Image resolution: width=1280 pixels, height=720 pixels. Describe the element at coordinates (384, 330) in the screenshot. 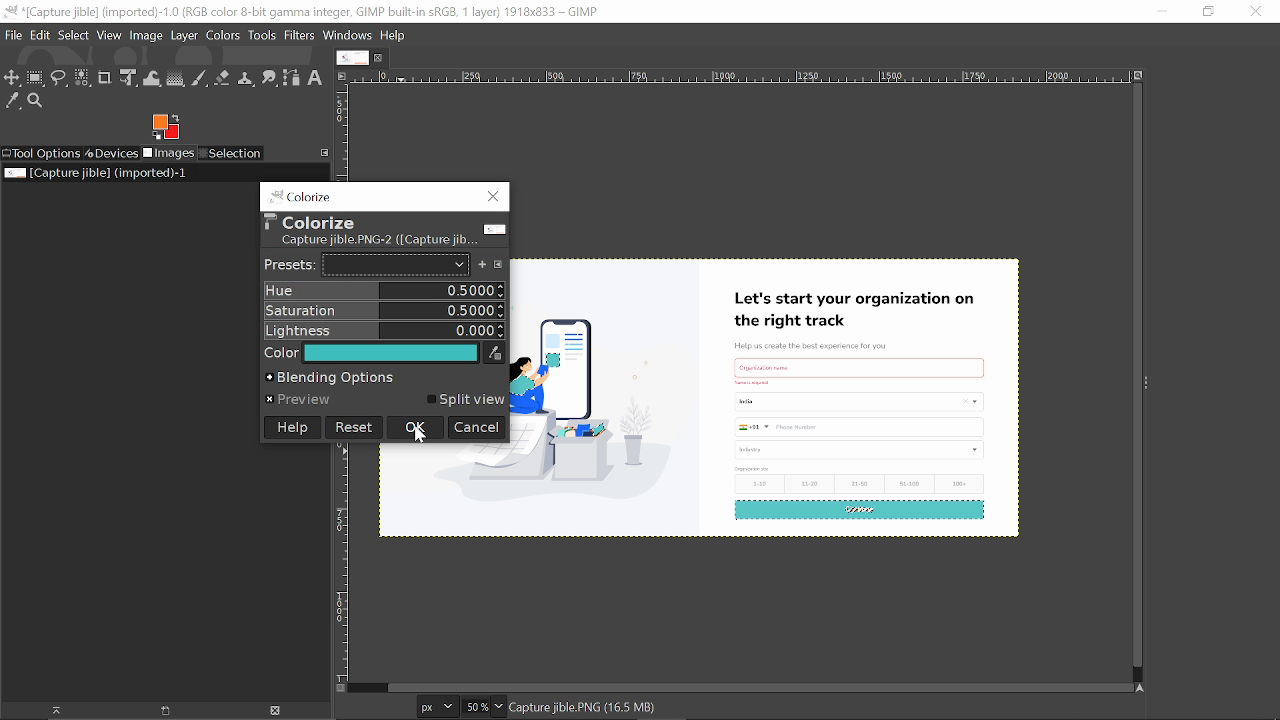

I see `Lightness` at that location.